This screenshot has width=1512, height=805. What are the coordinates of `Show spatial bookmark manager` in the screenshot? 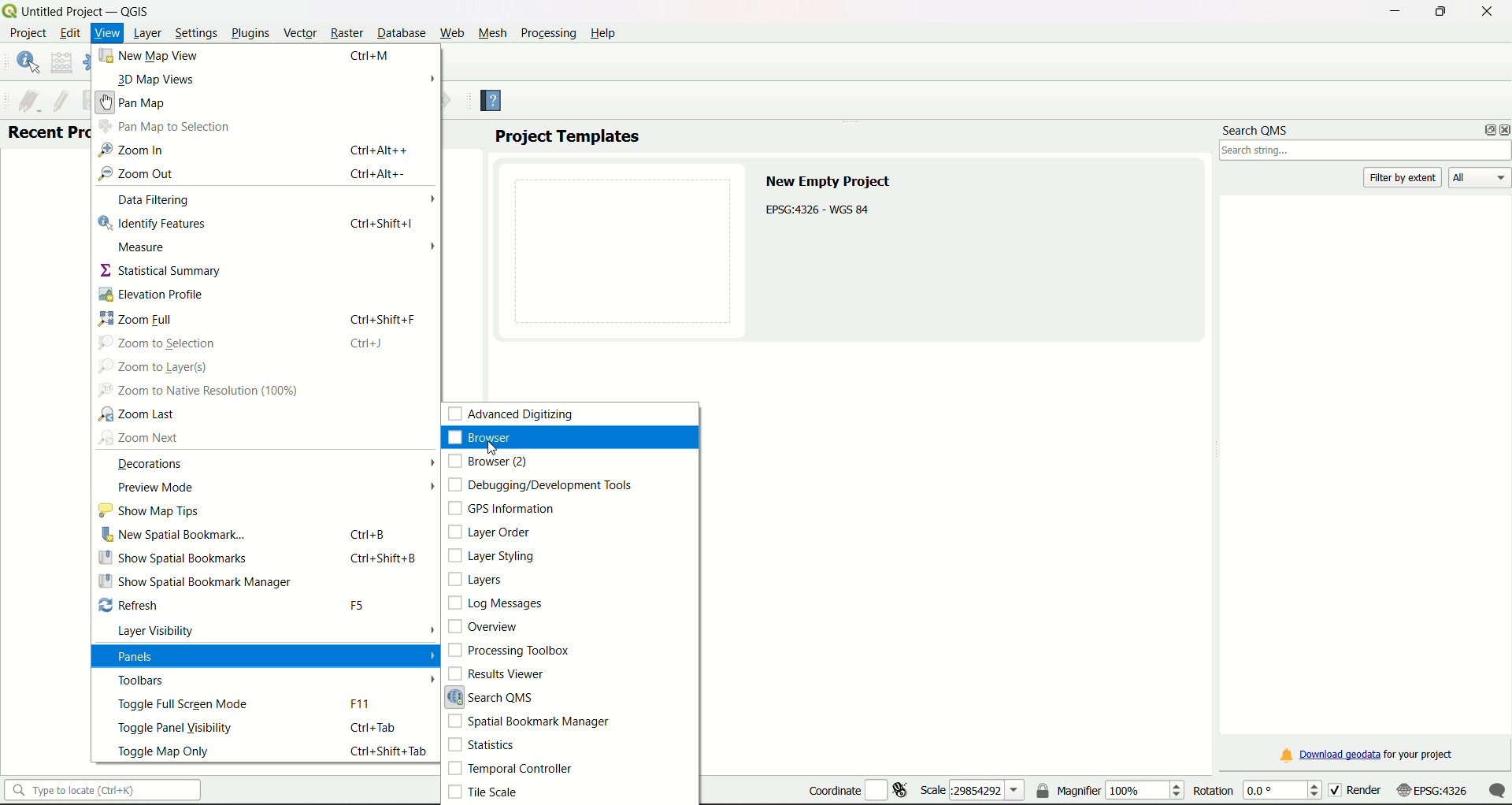 It's located at (195, 582).